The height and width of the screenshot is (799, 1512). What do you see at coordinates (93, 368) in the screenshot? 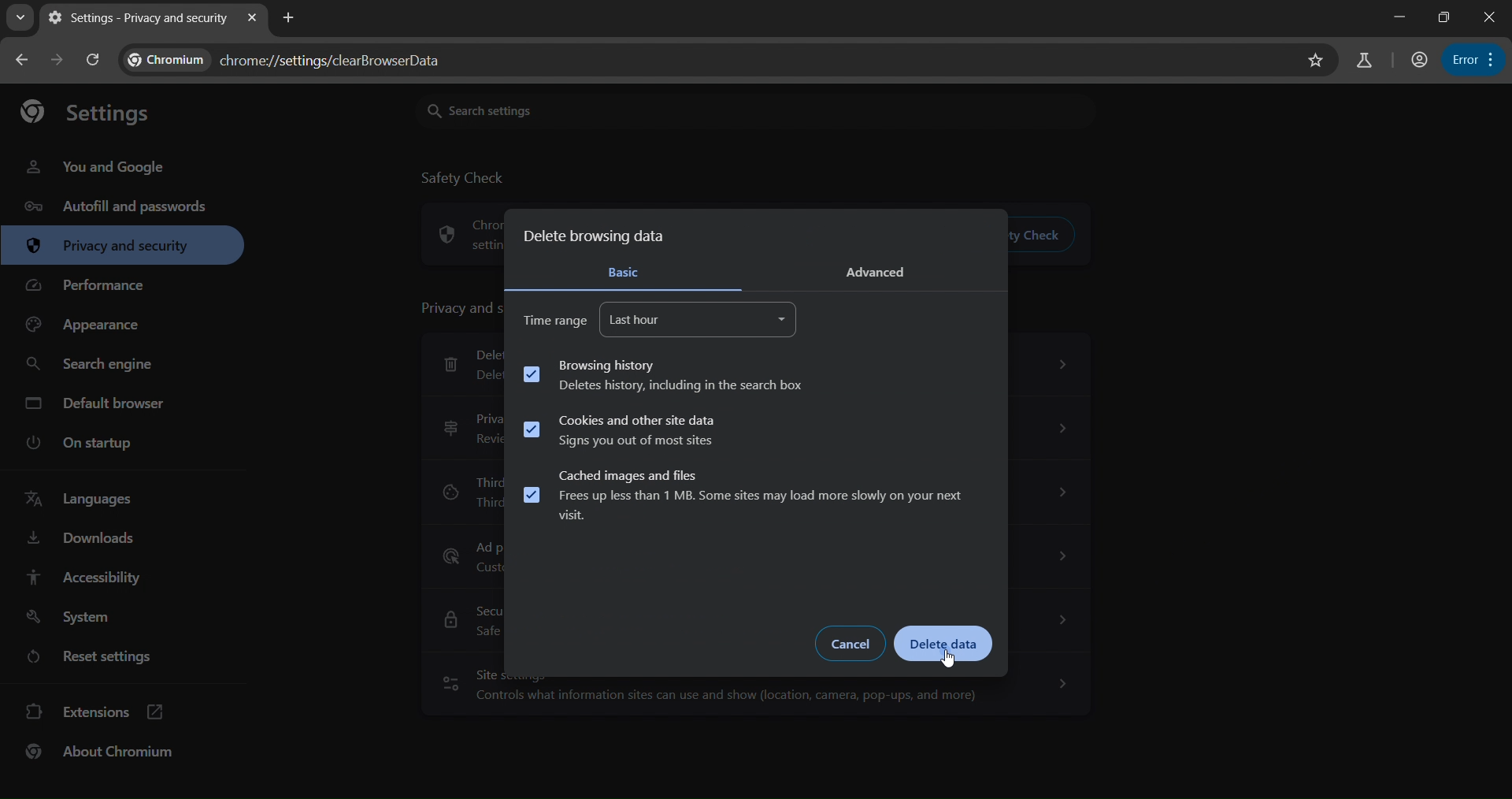
I see `search engine` at bounding box center [93, 368].